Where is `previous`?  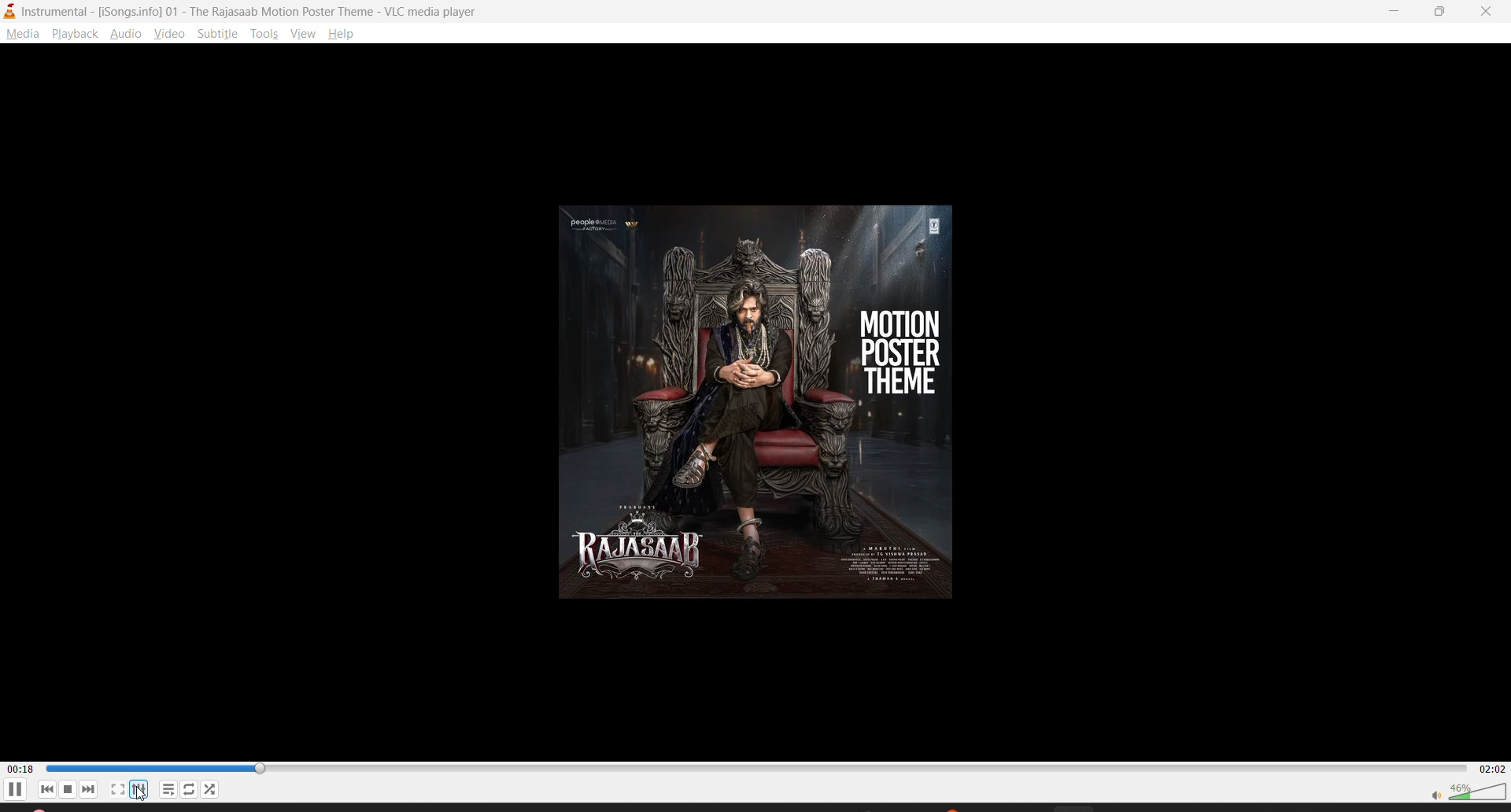 previous is located at coordinates (47, 790).